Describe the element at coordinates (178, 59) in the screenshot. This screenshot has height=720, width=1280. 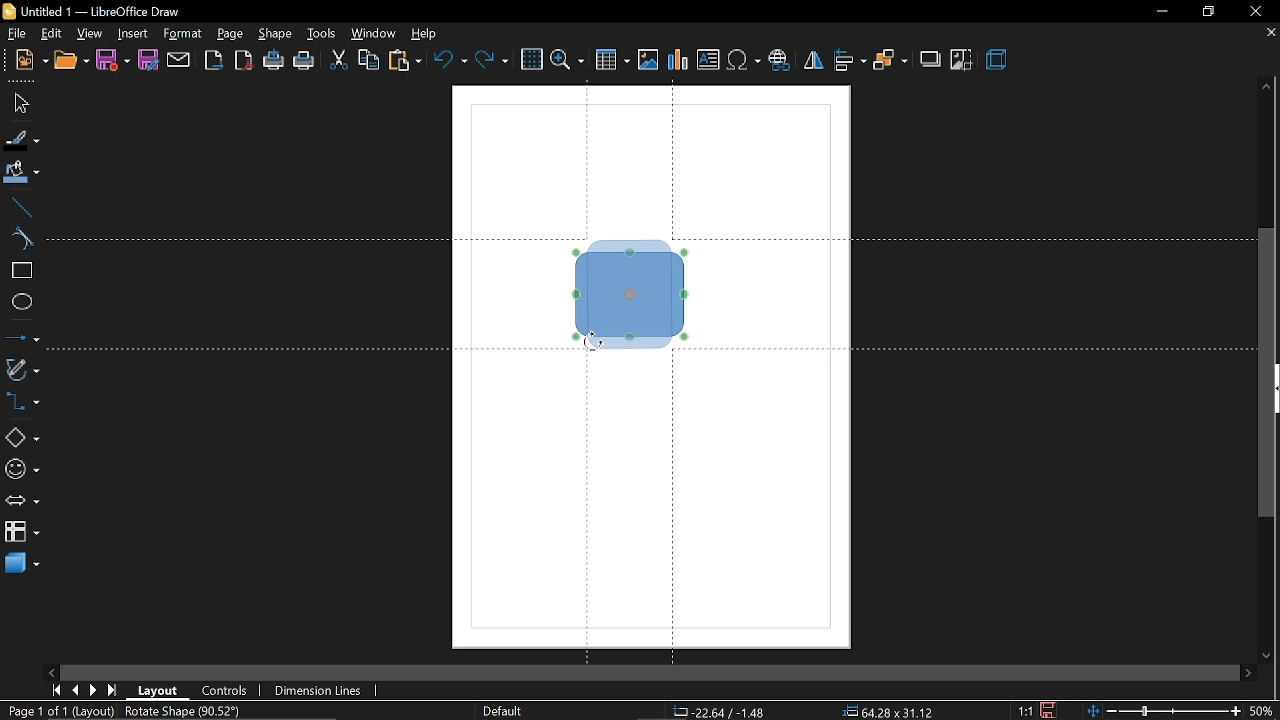
I see `attach` at that location.